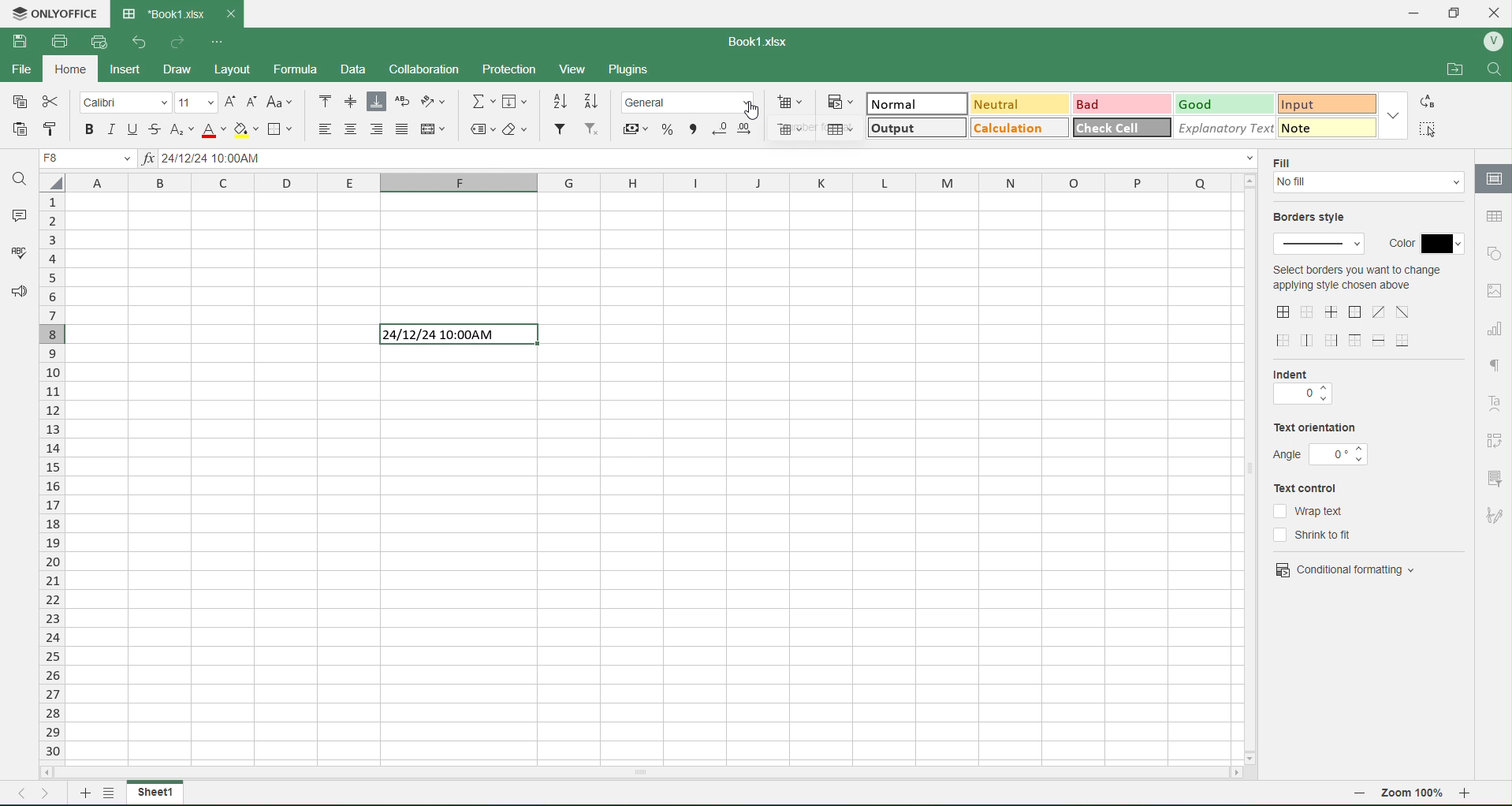  What do you see at coordinates (58, 186) in the screenshot?
I see `select all` at bounding box center [58, 186].